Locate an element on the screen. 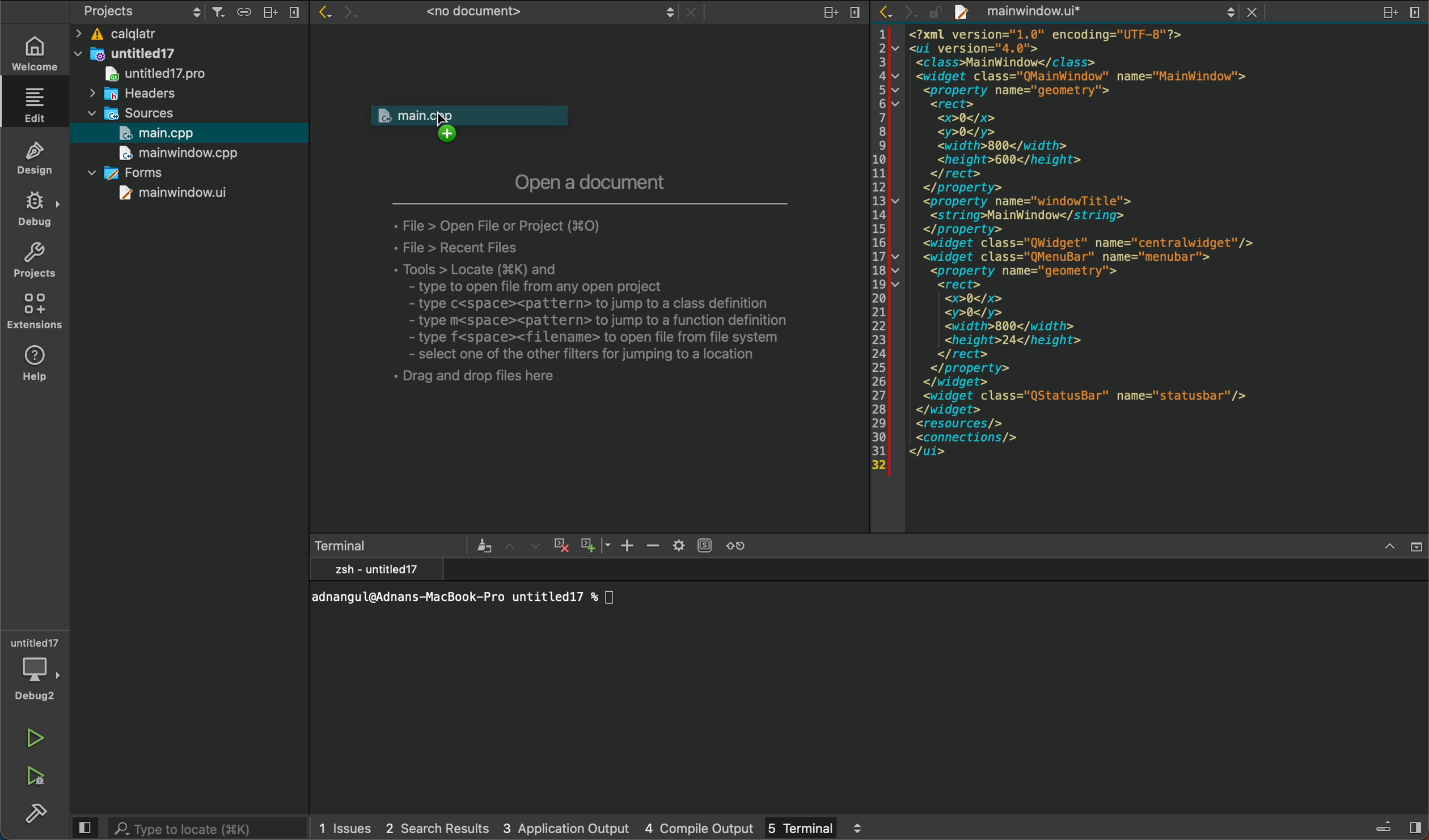 The image size is (1429, 840). close is located at coordinates (294, 12).